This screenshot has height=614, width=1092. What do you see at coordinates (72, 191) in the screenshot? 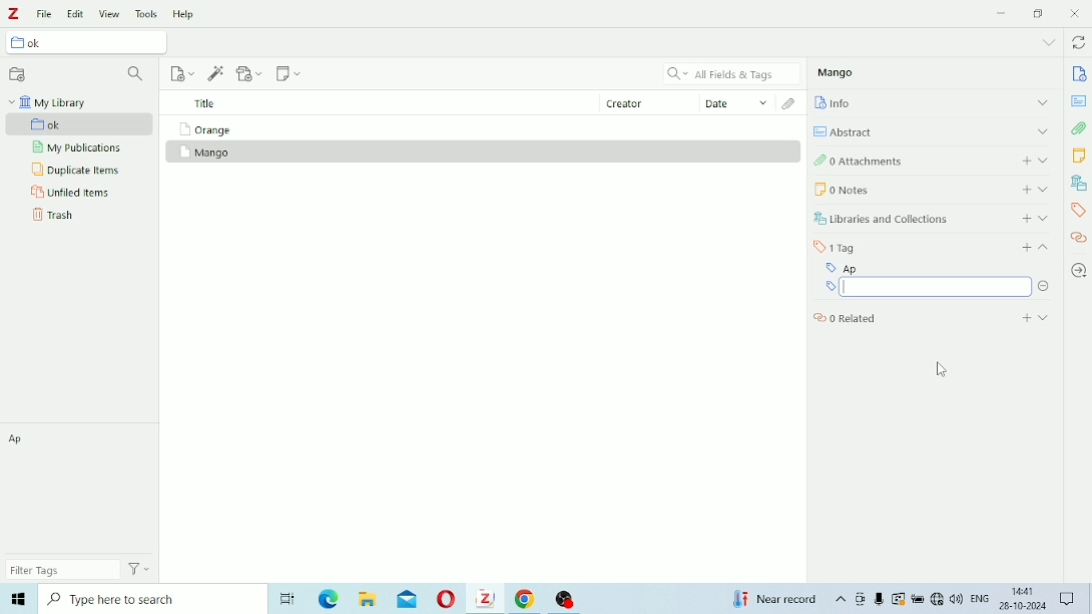
I see `Unfiled Items` at bounding box center [72, 191].